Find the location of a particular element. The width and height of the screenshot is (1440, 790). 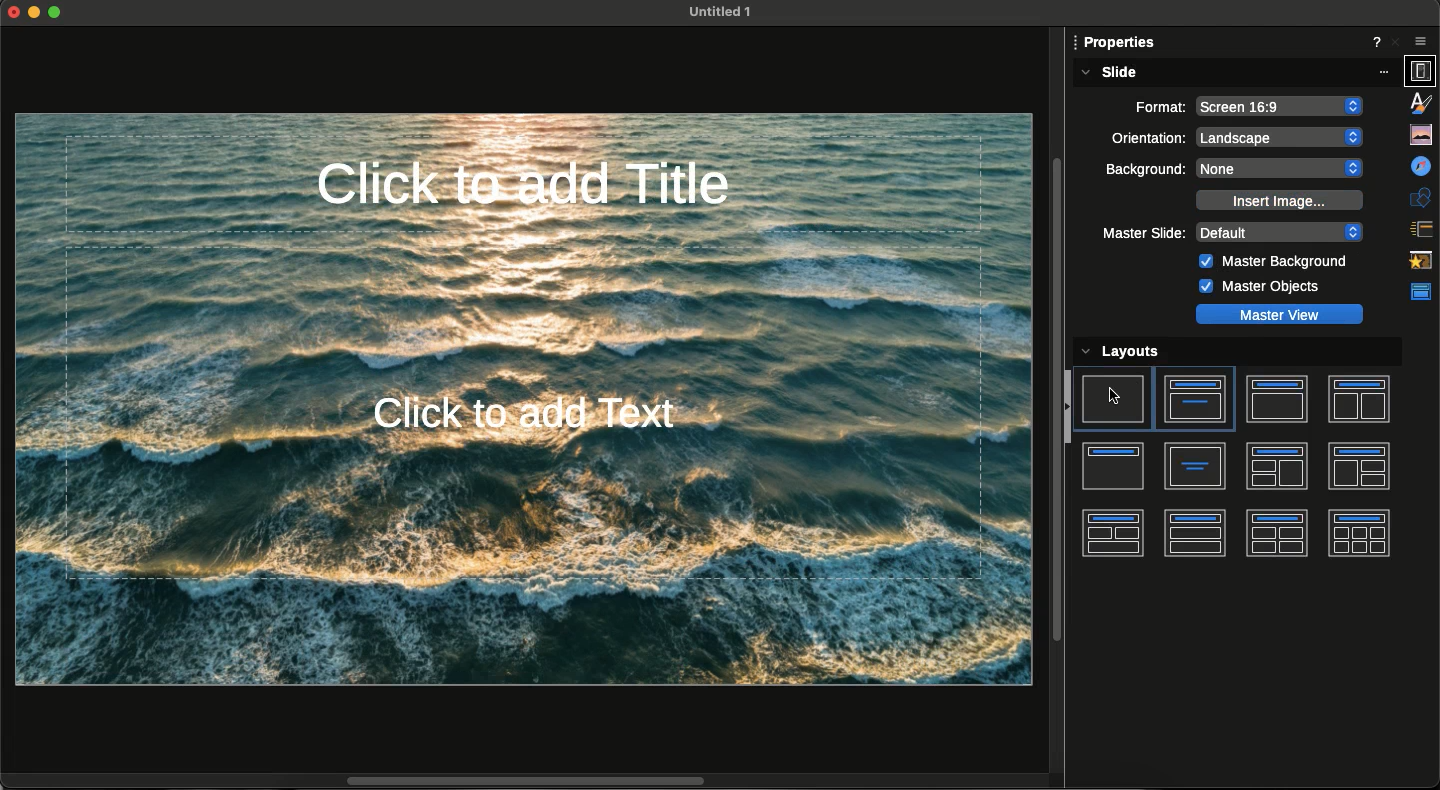

Title and text box is located at coordinates (1276, 399).